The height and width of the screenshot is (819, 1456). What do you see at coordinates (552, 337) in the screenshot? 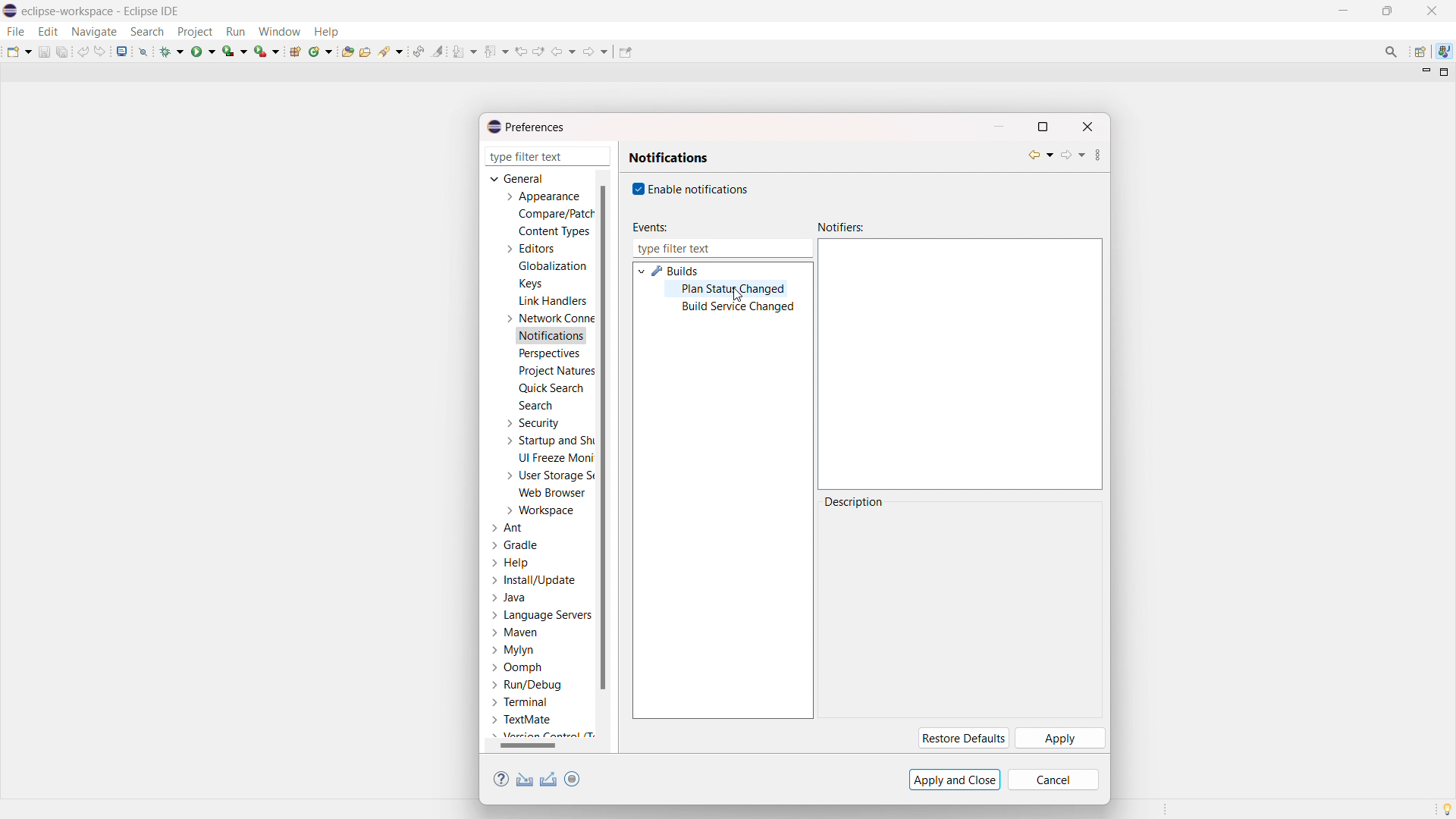
I see `notifications` at bounding box center [552, 337].